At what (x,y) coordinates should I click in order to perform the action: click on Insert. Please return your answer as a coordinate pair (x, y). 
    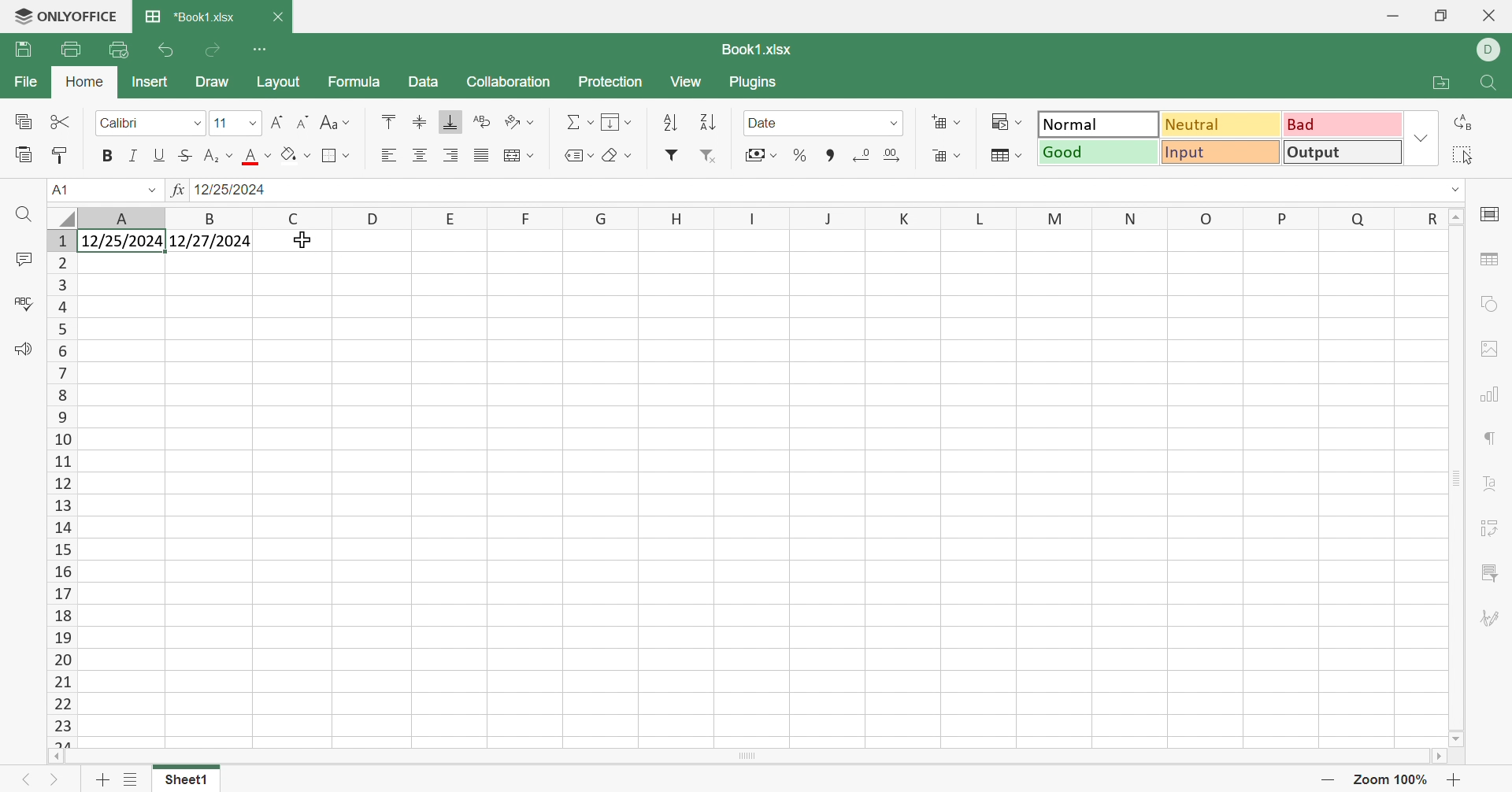
    Looking at the image, I should click on (150, 82).